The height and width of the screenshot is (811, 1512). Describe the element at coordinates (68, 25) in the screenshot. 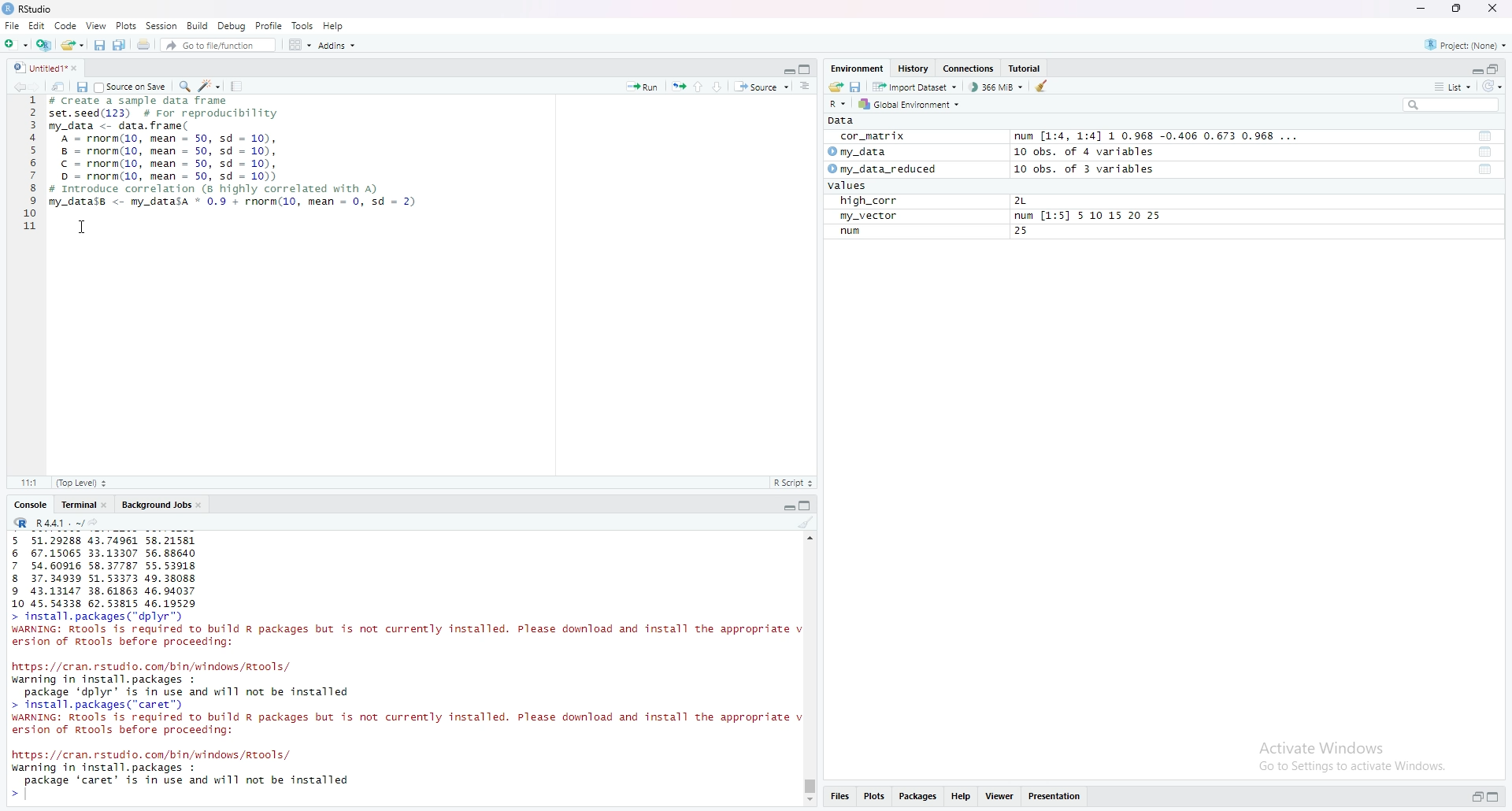

I see `Code` at that location.